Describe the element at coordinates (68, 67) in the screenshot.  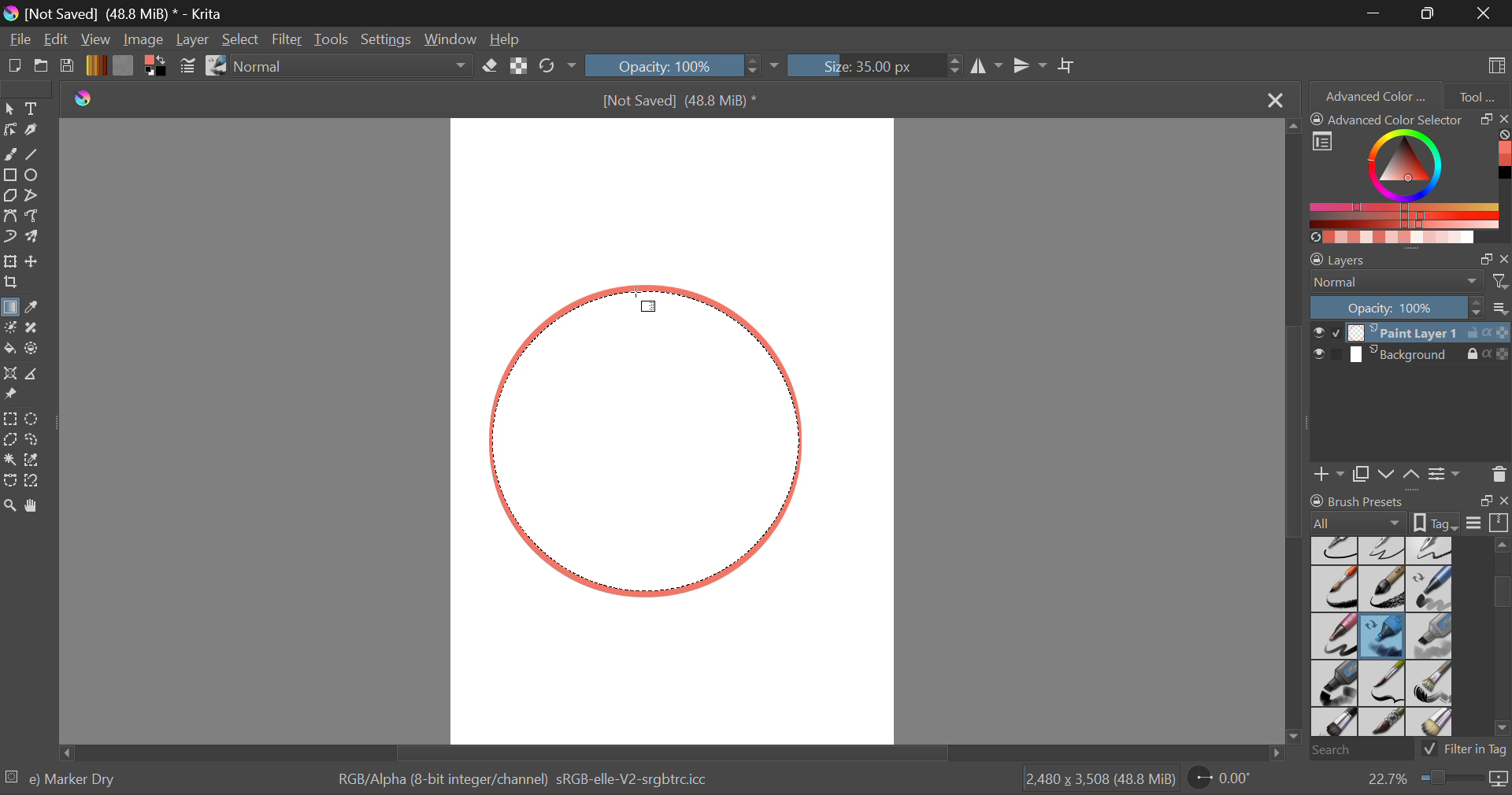
I see `Save` at that location.